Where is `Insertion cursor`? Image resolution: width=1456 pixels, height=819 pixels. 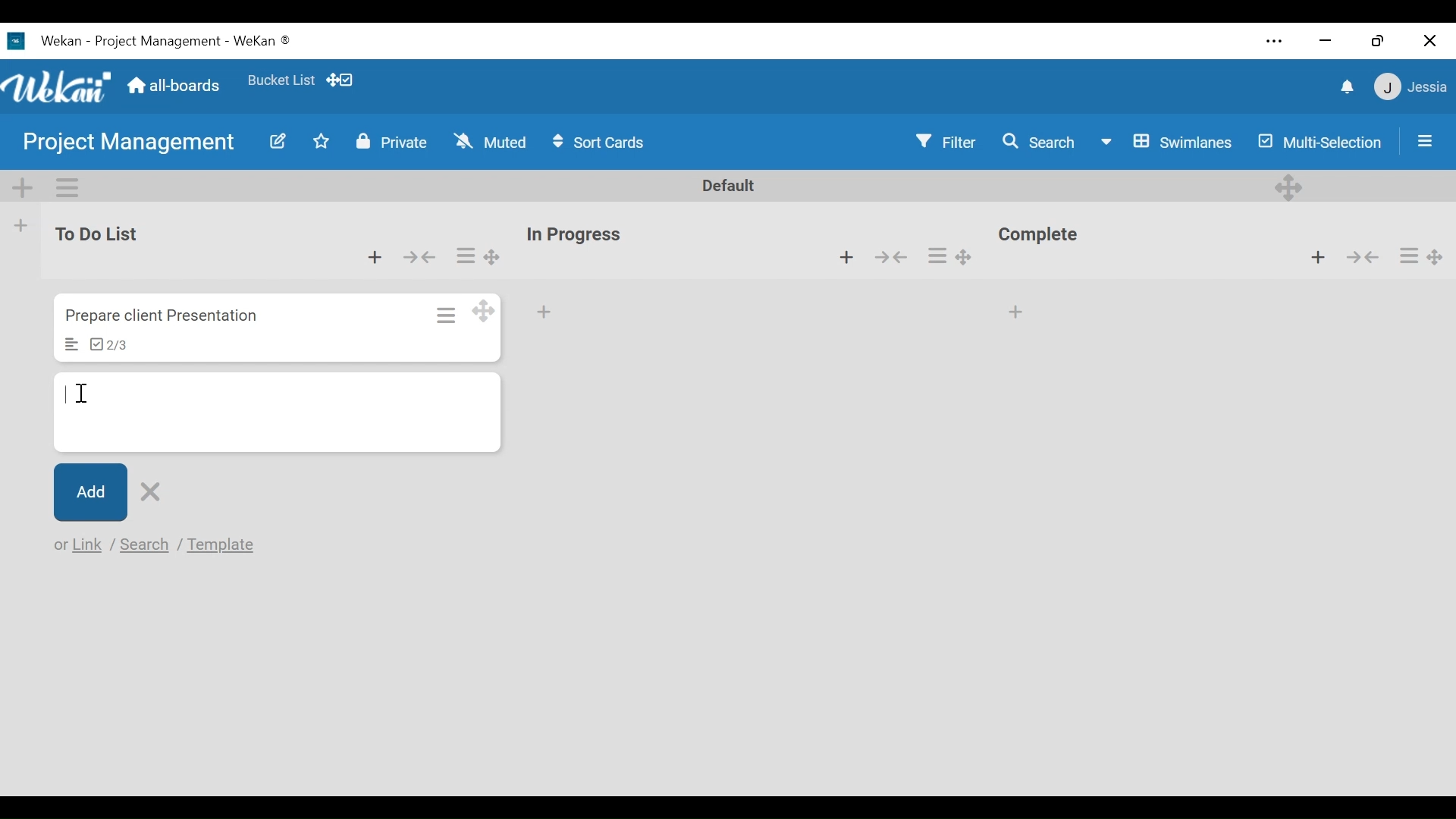 Insertion cursor is located at coordinates (83, 394).